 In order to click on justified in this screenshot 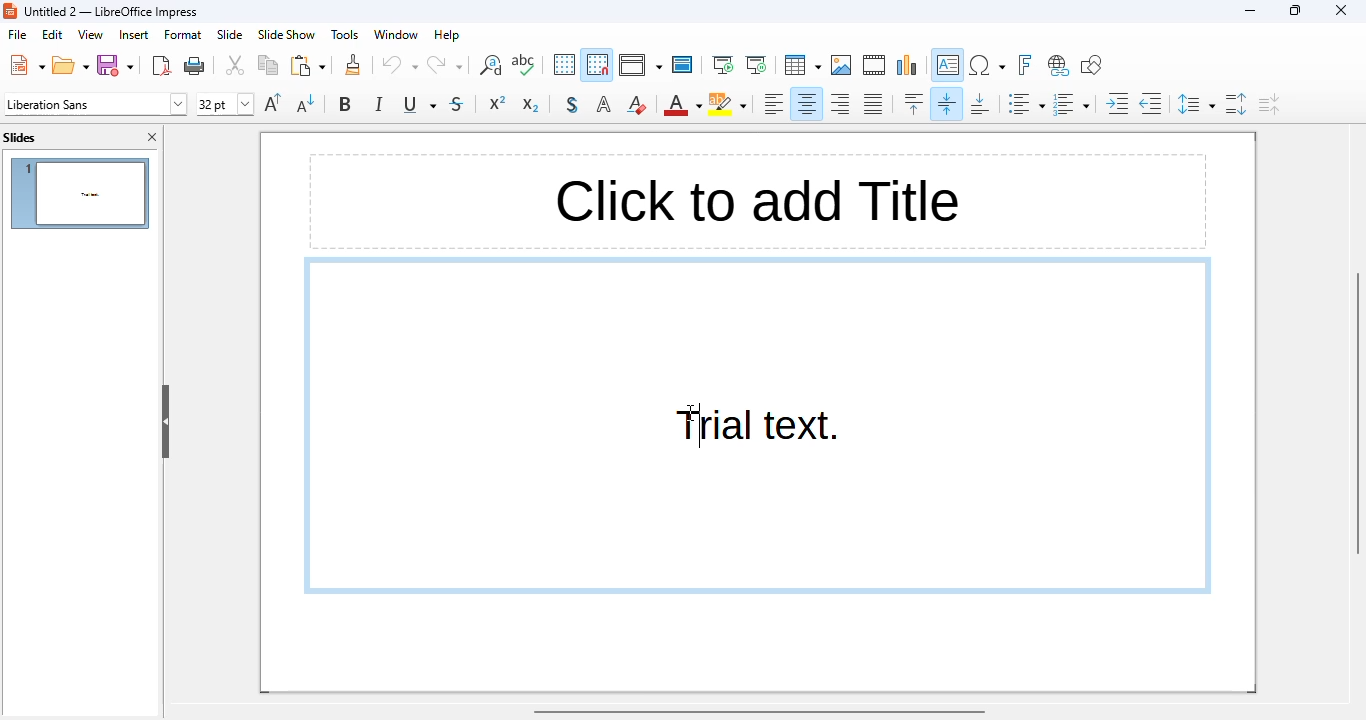, I will do `click(873, 103)`.